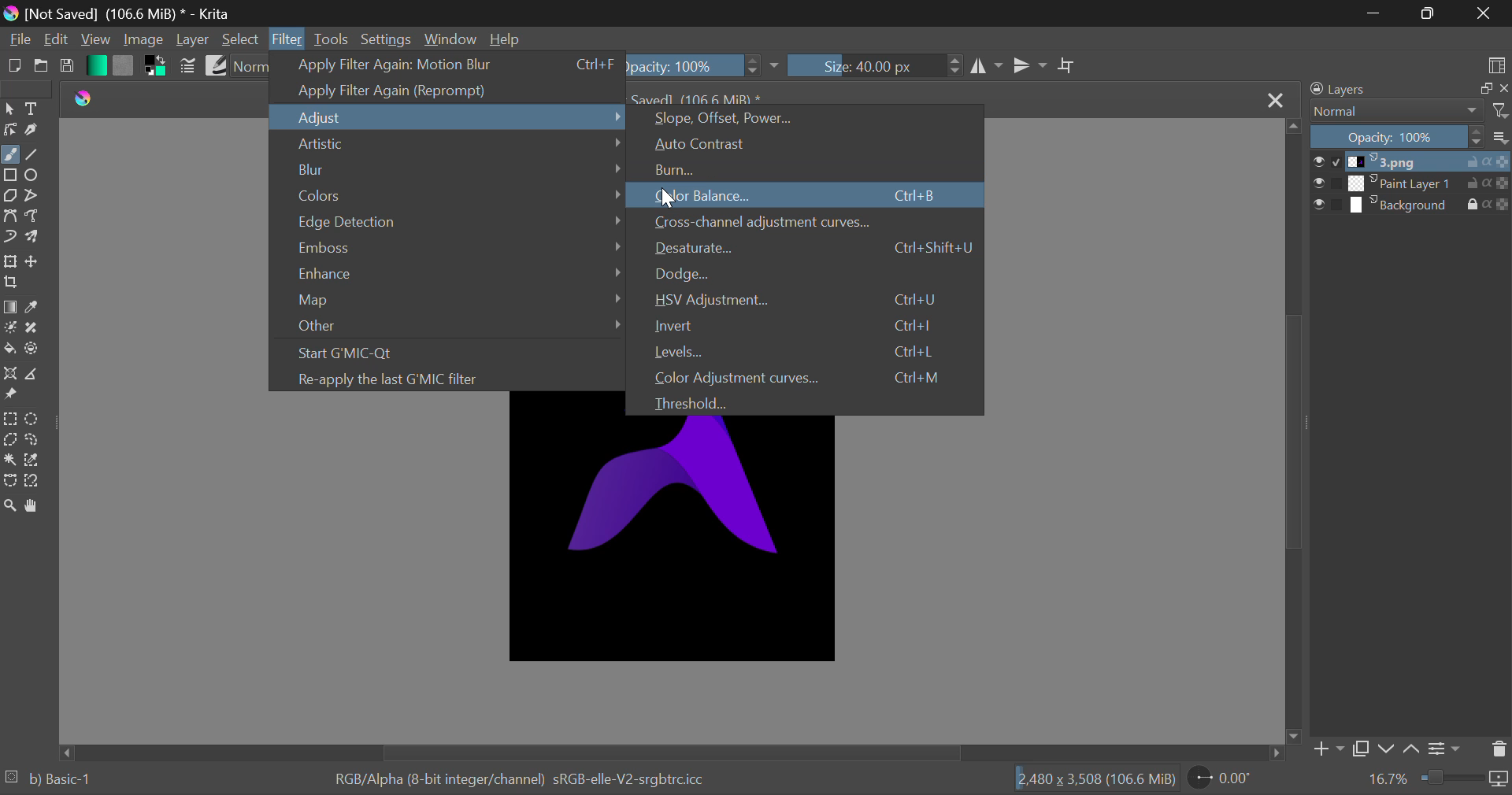 The height and width of the screenshot is (795, 1512). What do you see at coordinates (242, 39) in the screenshot?
I see `Select` at bounding box center [242, 39].